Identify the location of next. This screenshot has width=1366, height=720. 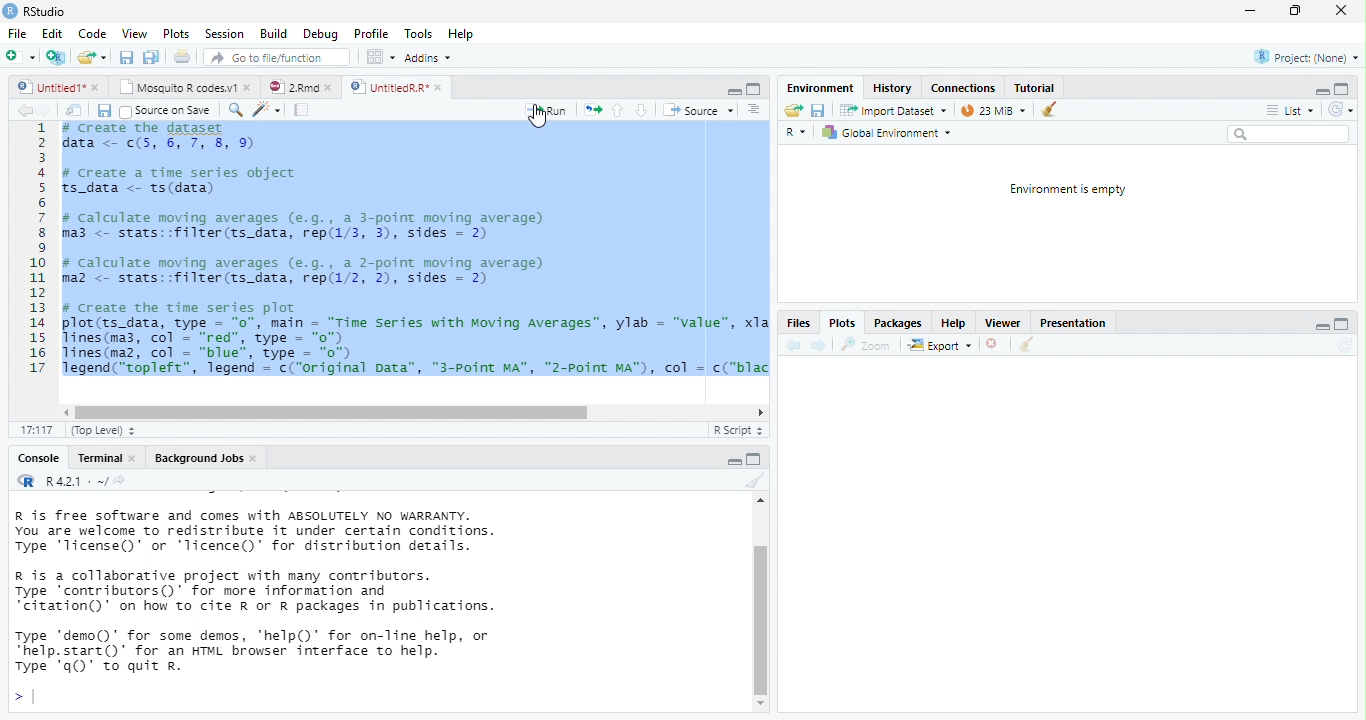
(819, 345).